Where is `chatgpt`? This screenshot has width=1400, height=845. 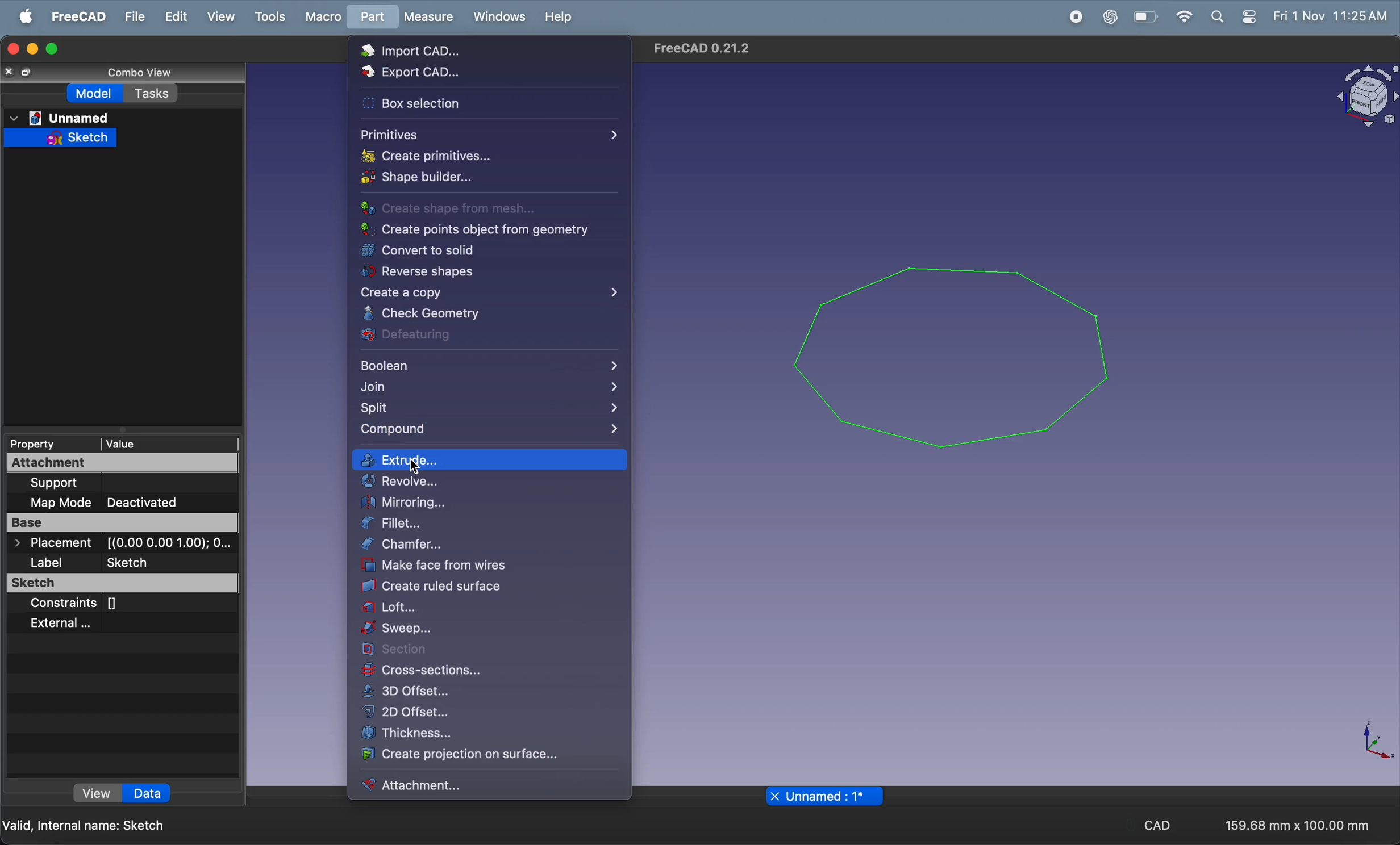 chatgpt is located at coordinates (1107, 17).